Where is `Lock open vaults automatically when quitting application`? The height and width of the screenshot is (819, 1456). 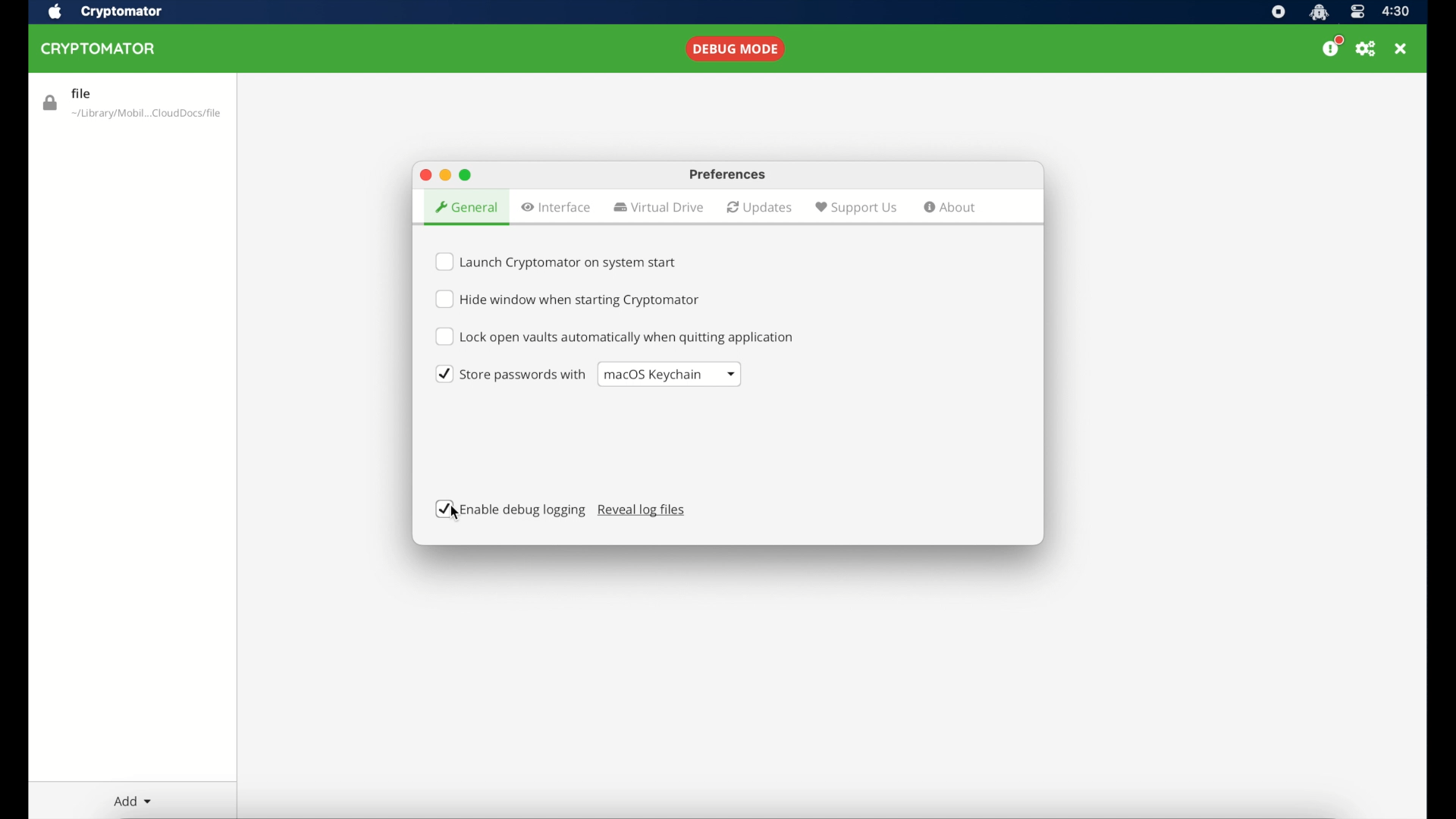
Lock open vaults automatically when quitting application is located at coordinates (616, 337).